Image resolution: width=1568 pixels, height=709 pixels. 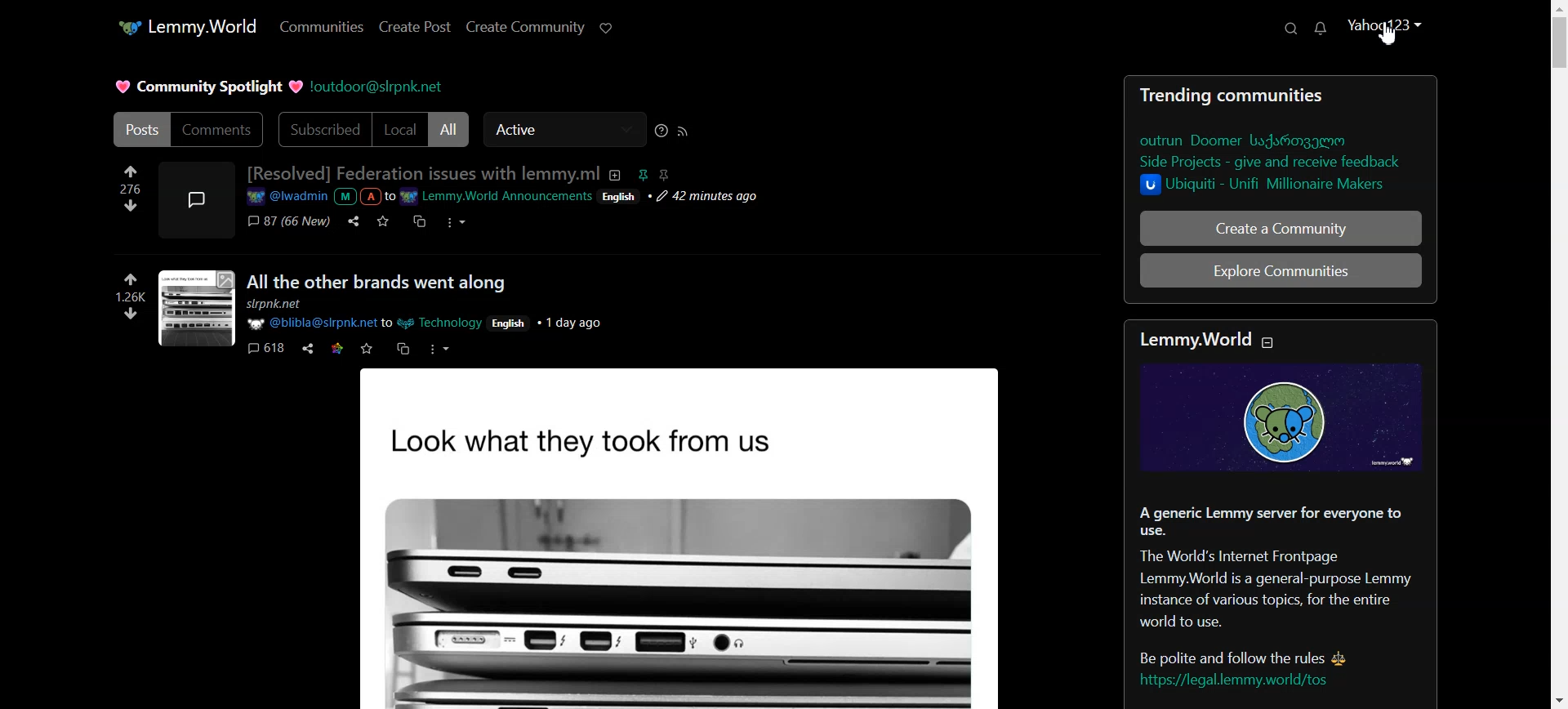 I want to click on description, so click(x=613, y=174).